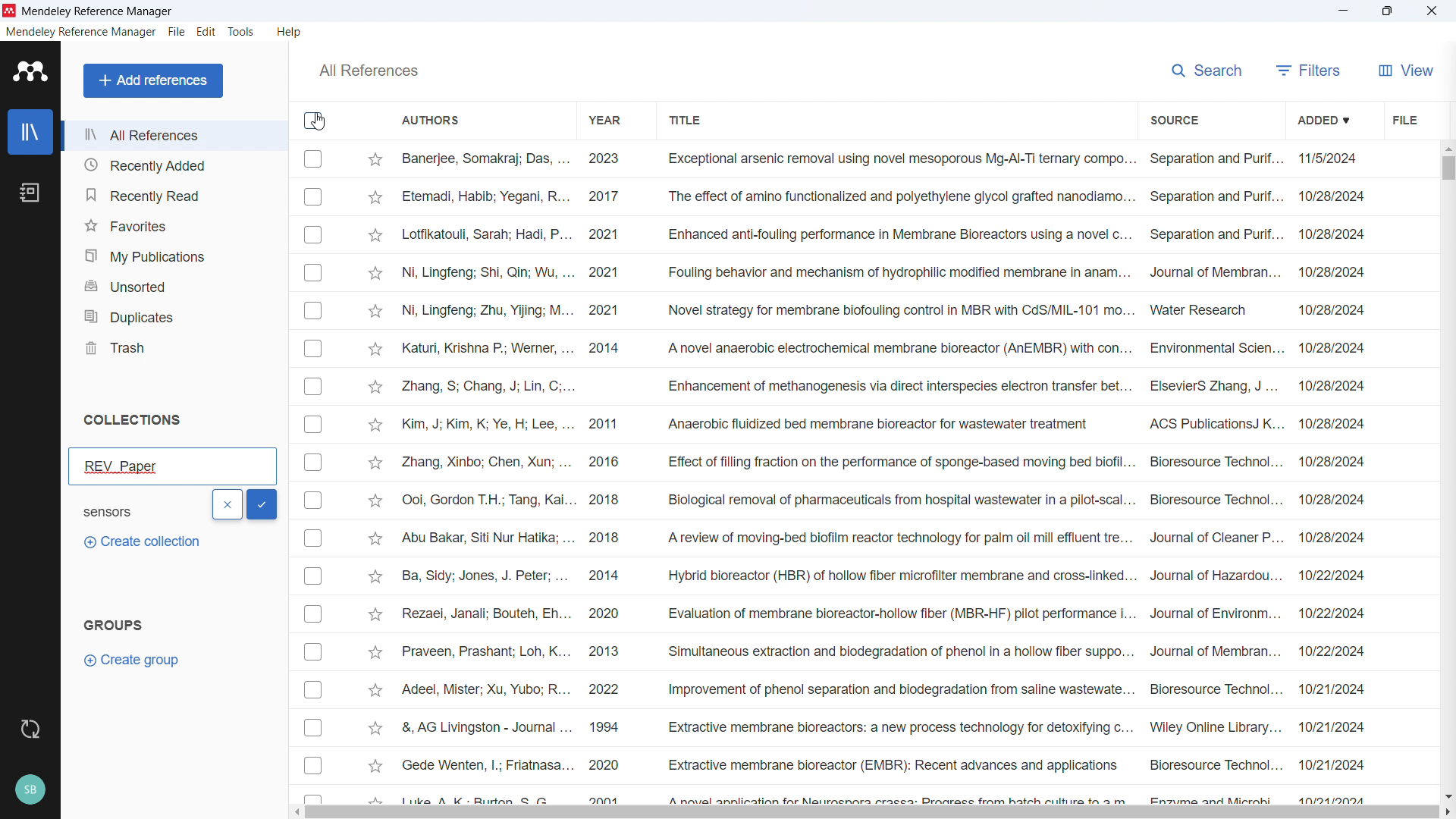  What do you see at coordinates (375, 236) in the screenshot?
I see `Star mark respective publication` at bounding box center [375, 236].